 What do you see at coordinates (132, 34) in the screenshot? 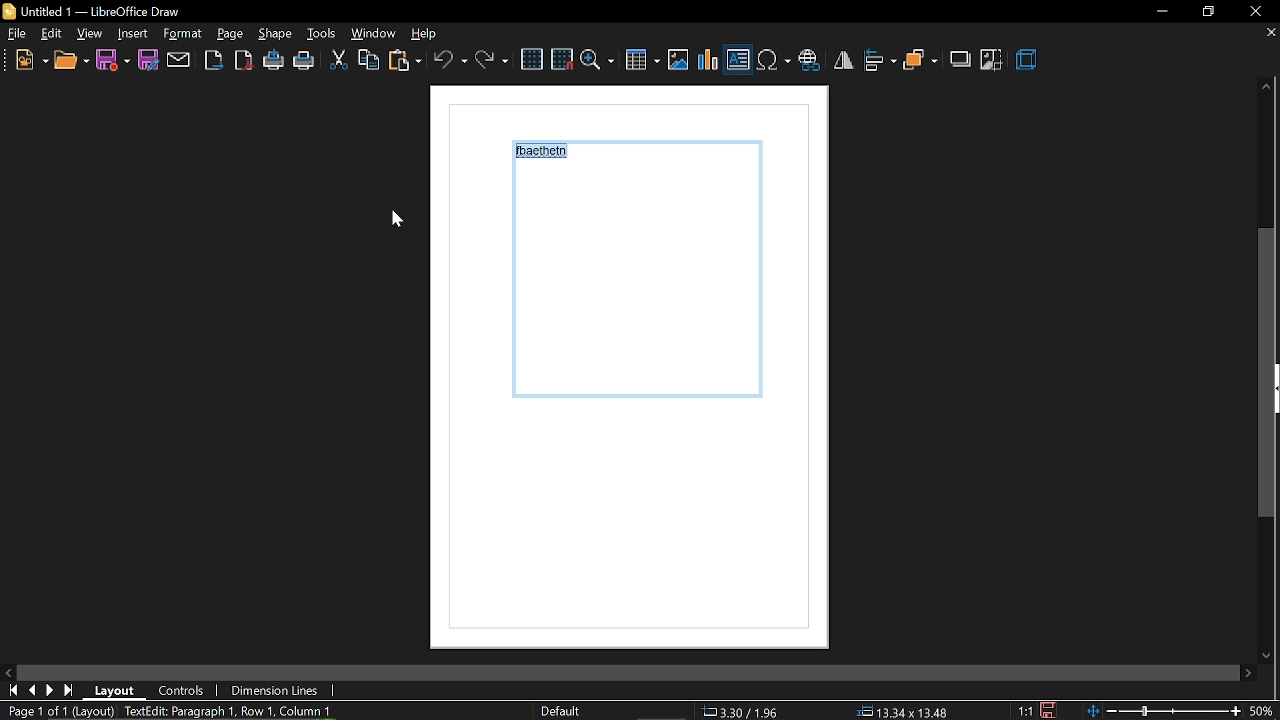
I see `shape` at bounding box center [132, 34].